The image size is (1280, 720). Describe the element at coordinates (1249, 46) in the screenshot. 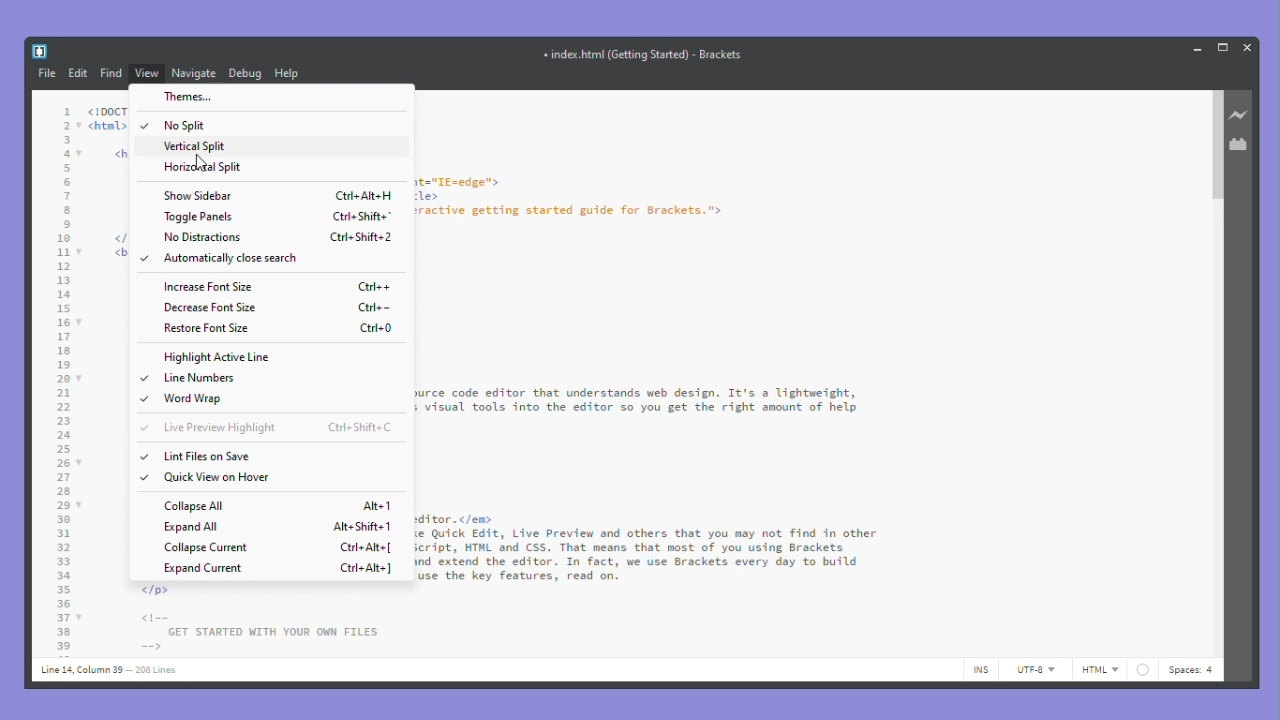

I see `Close` at that location.